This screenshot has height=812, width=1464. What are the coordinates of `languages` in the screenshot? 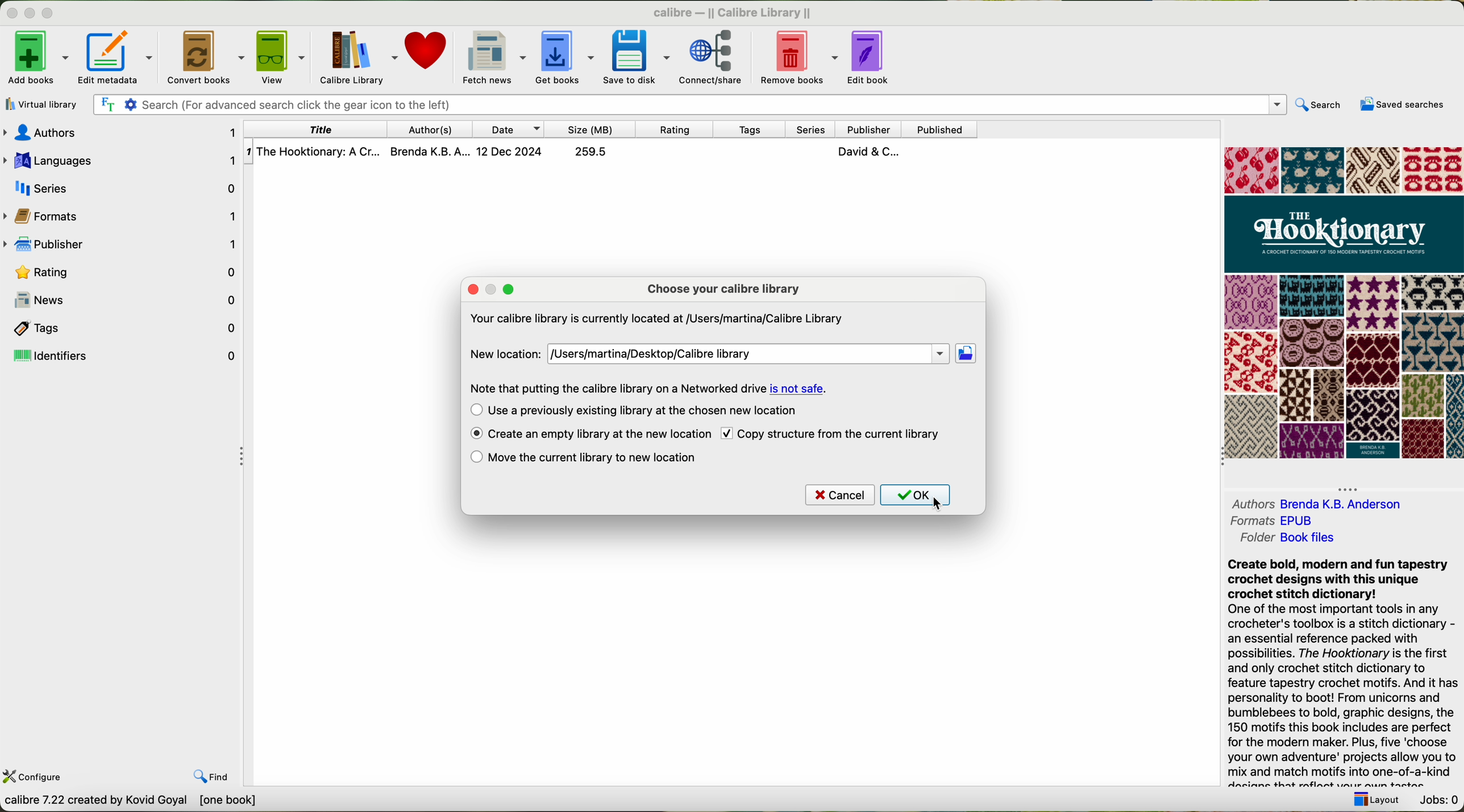 It's located at (121, 159).